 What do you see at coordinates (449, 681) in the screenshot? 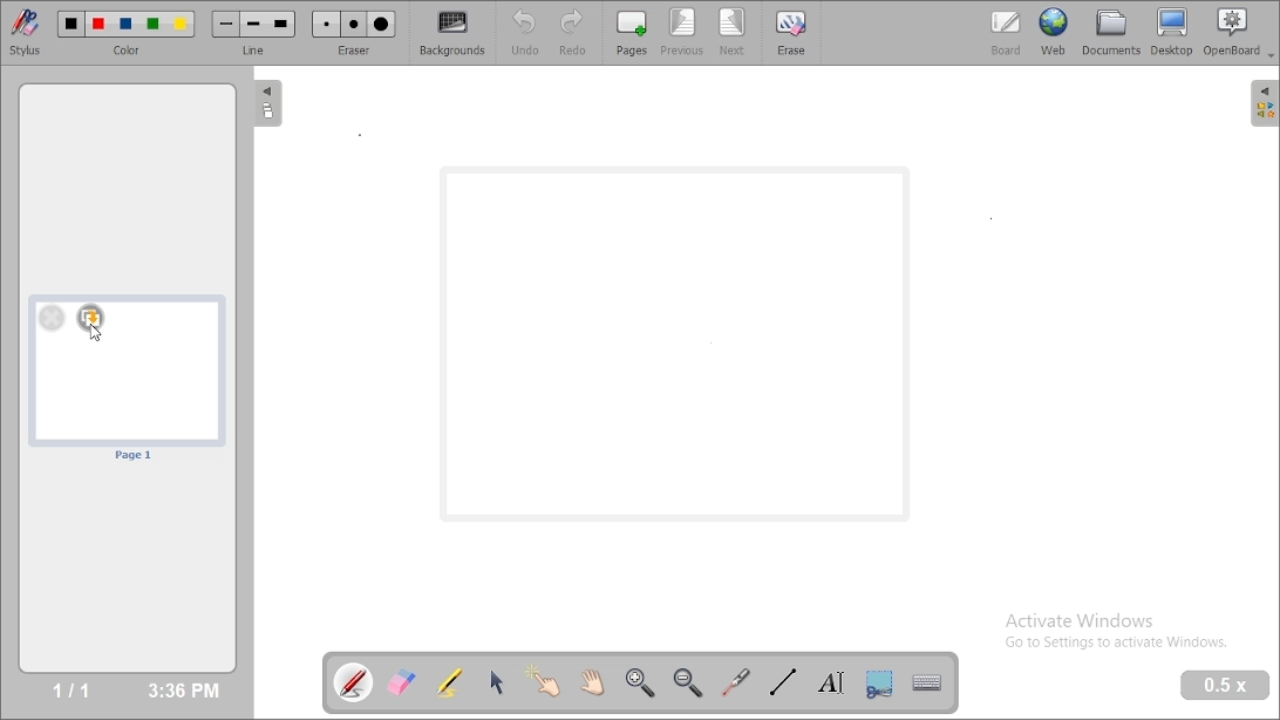
I see `highlight` at bounding box center [449, 681].